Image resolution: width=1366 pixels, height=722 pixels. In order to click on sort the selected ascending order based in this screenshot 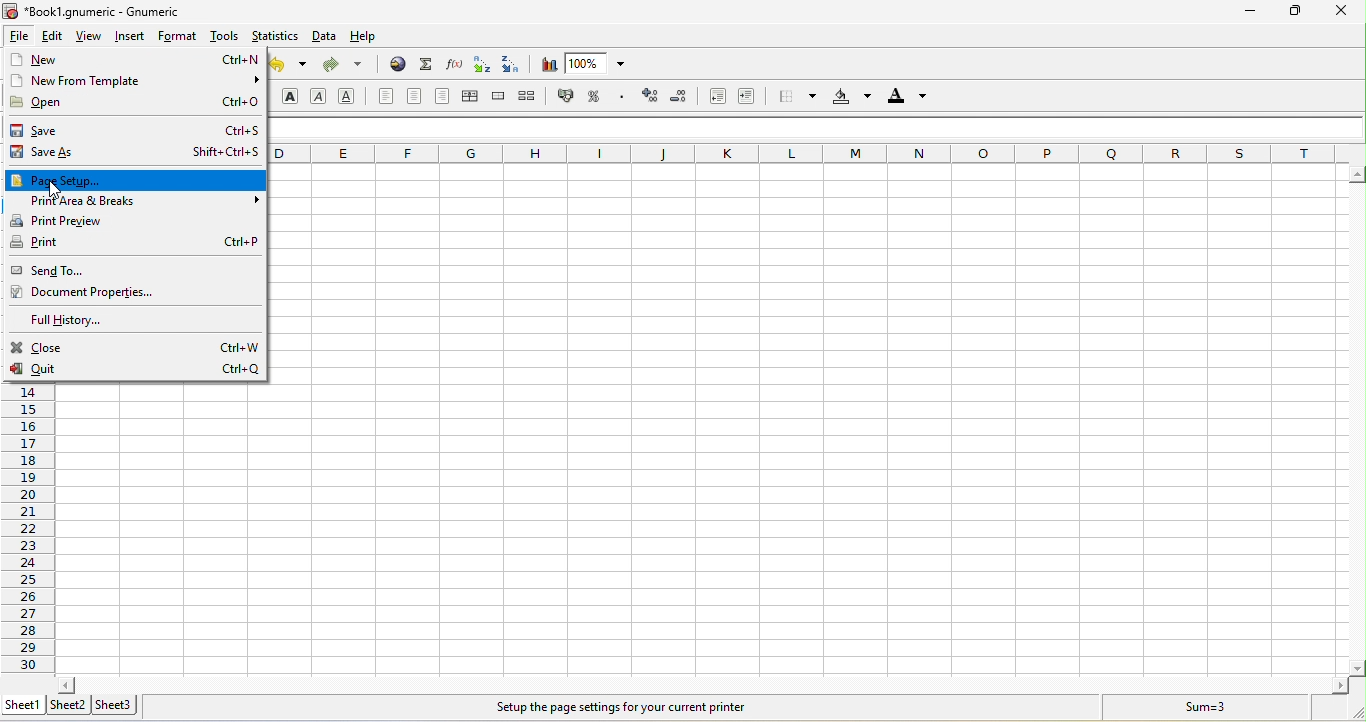, I will do `click(483, 65)`.